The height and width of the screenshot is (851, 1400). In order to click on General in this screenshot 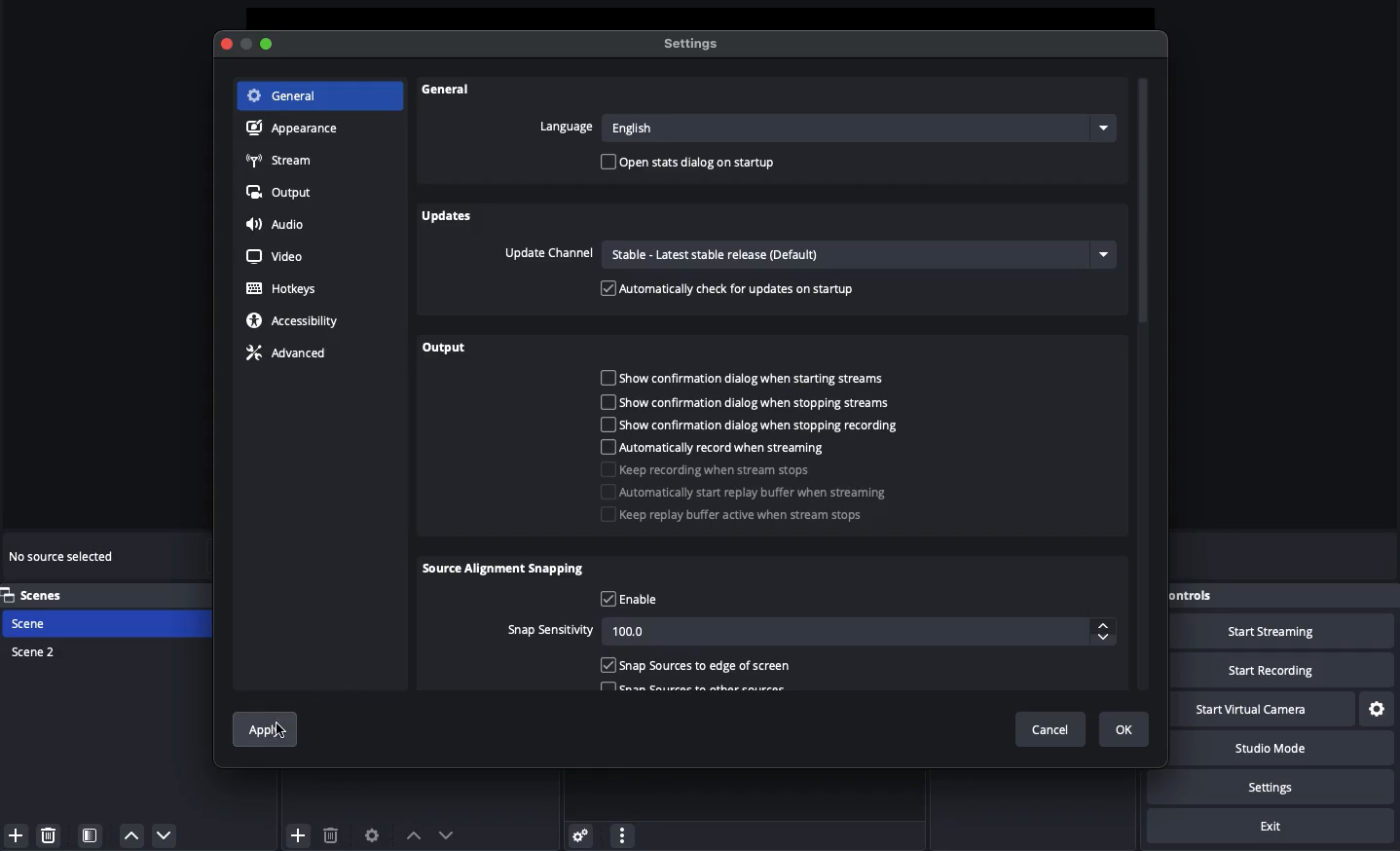, I will do `click(449, 94)`.